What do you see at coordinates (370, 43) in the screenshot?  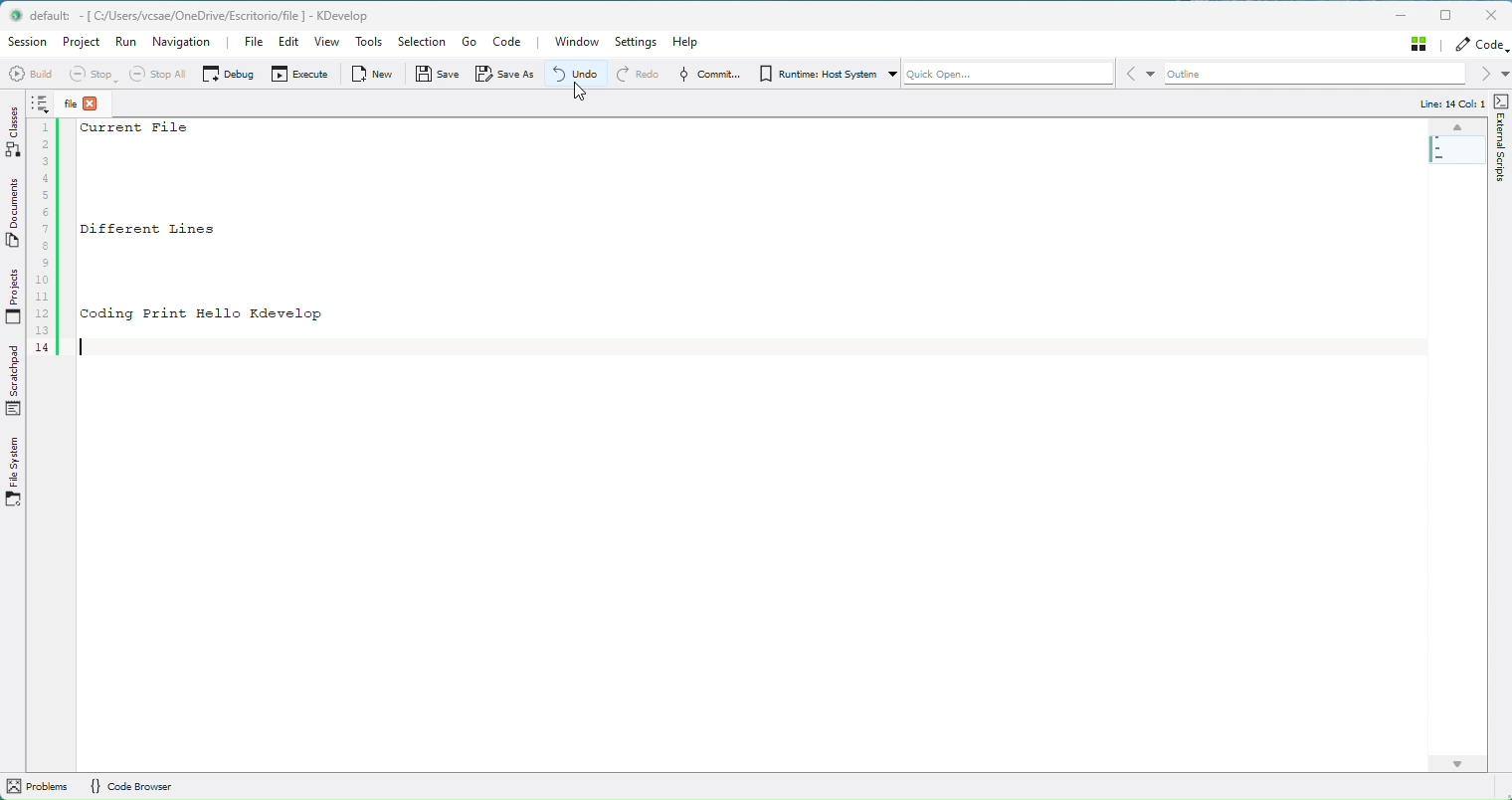 I see `Tools` at bounding box center [370, 43].